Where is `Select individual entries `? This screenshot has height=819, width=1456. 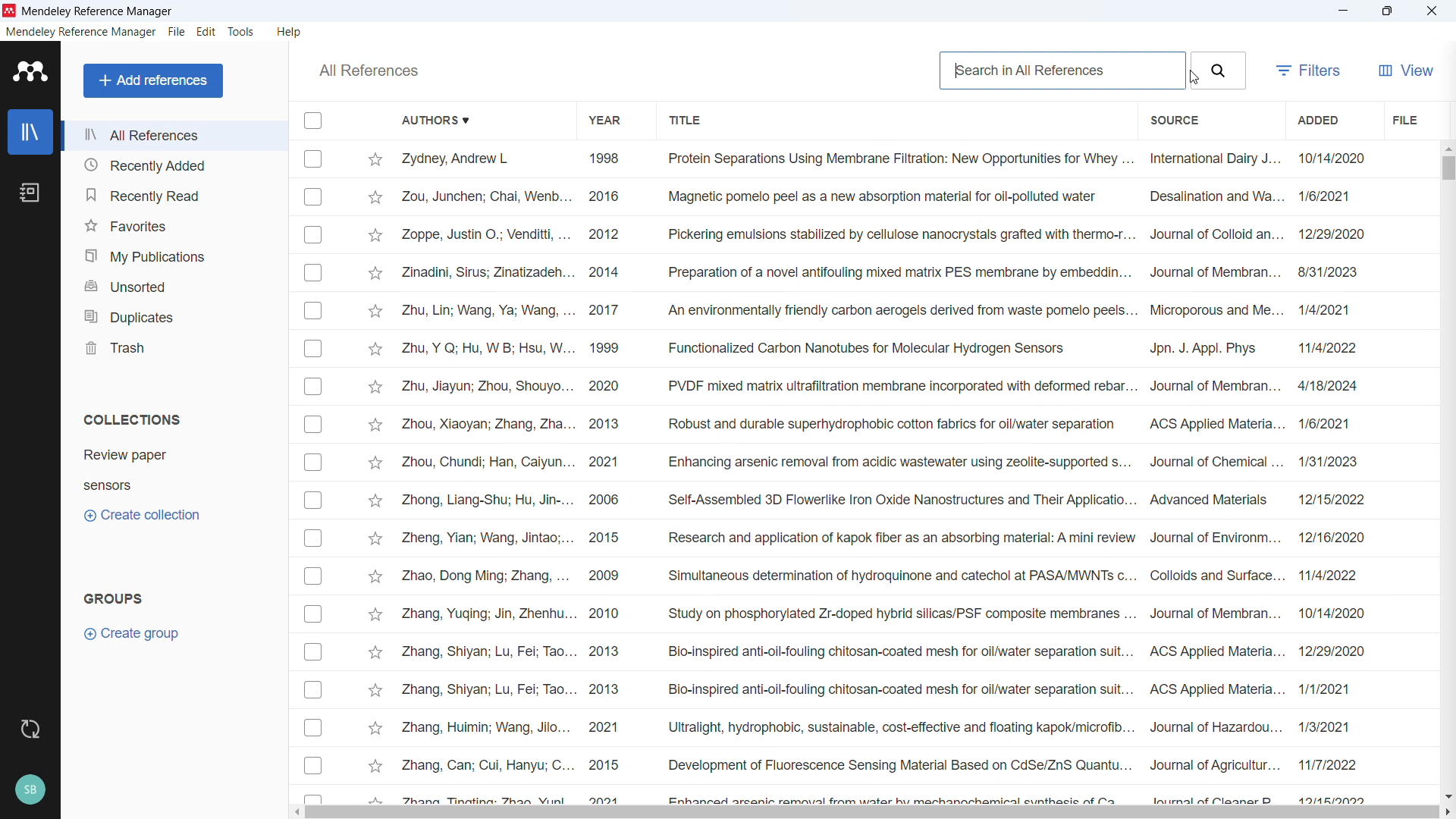 Select individual entries  is located at coordinates (312, 475).